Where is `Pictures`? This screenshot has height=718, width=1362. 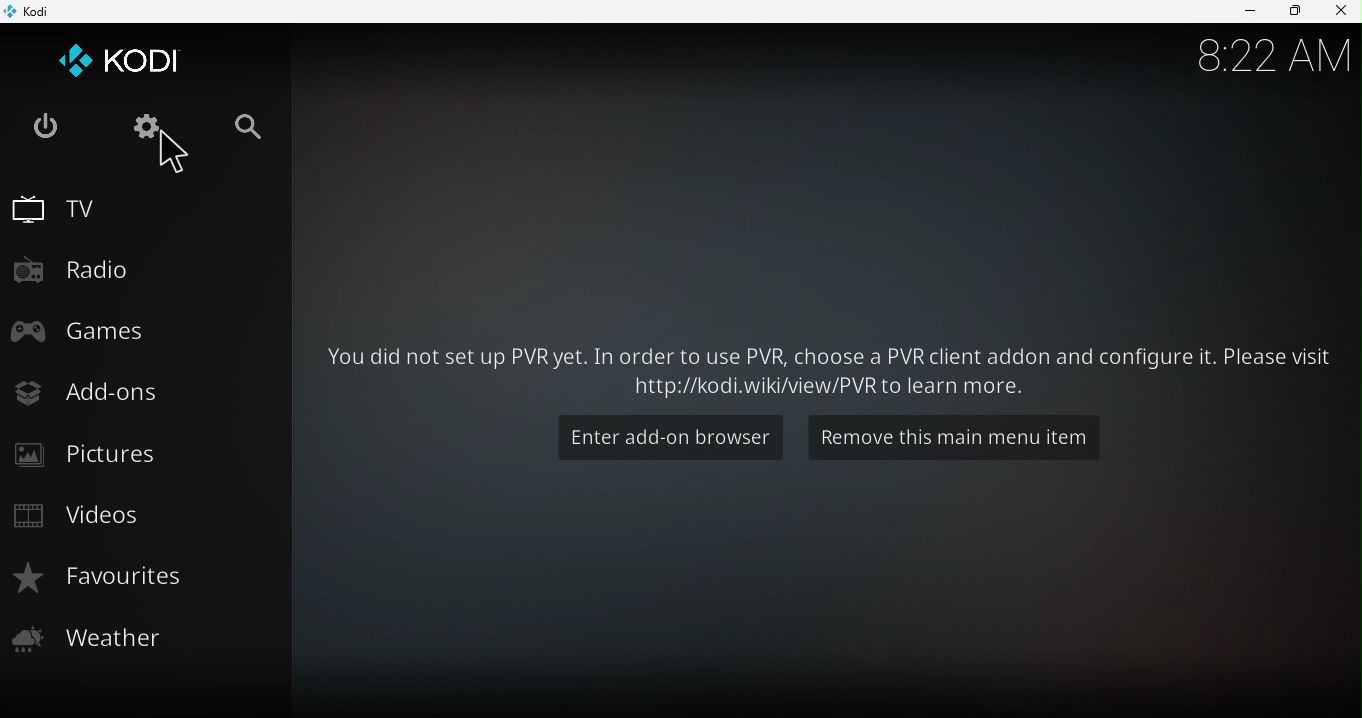
Pictures is located at coordinates (143, 455).